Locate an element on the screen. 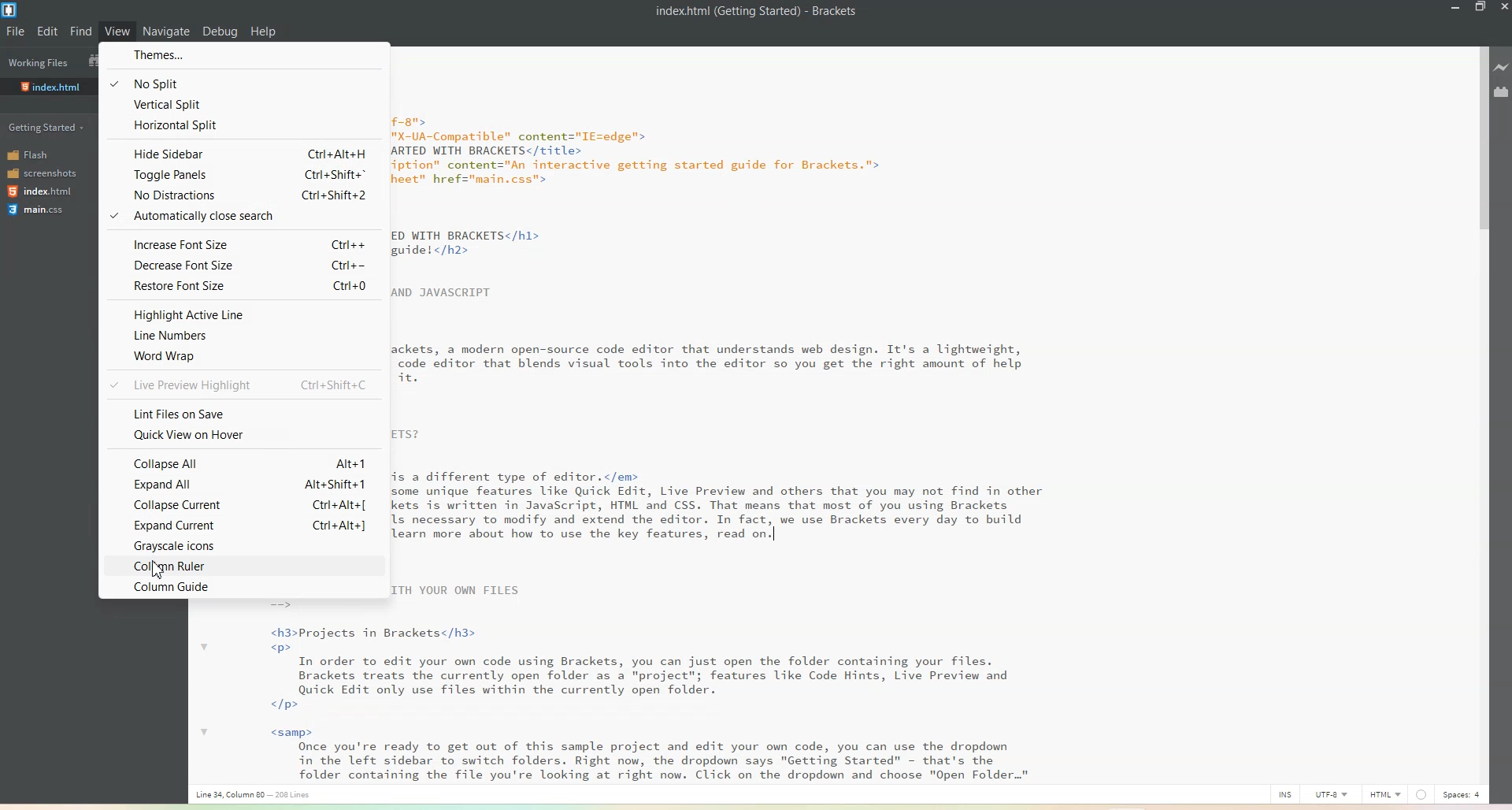  Logo is located at coordinates (11, 9).